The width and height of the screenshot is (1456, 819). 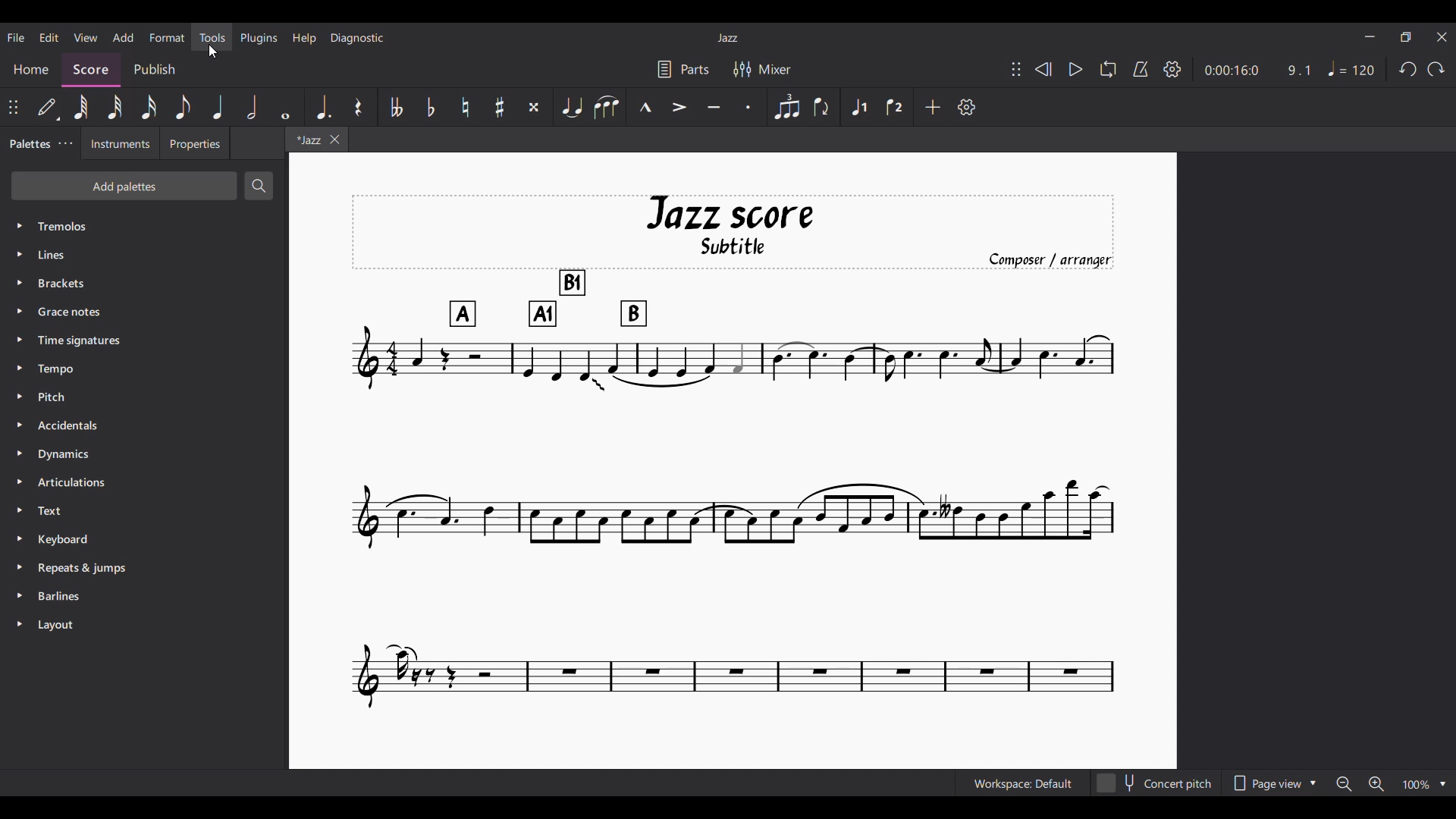 What do you see at coordinates (81, 107) in the screenshot?
I see `64th note` at bounding box center [81, 107].